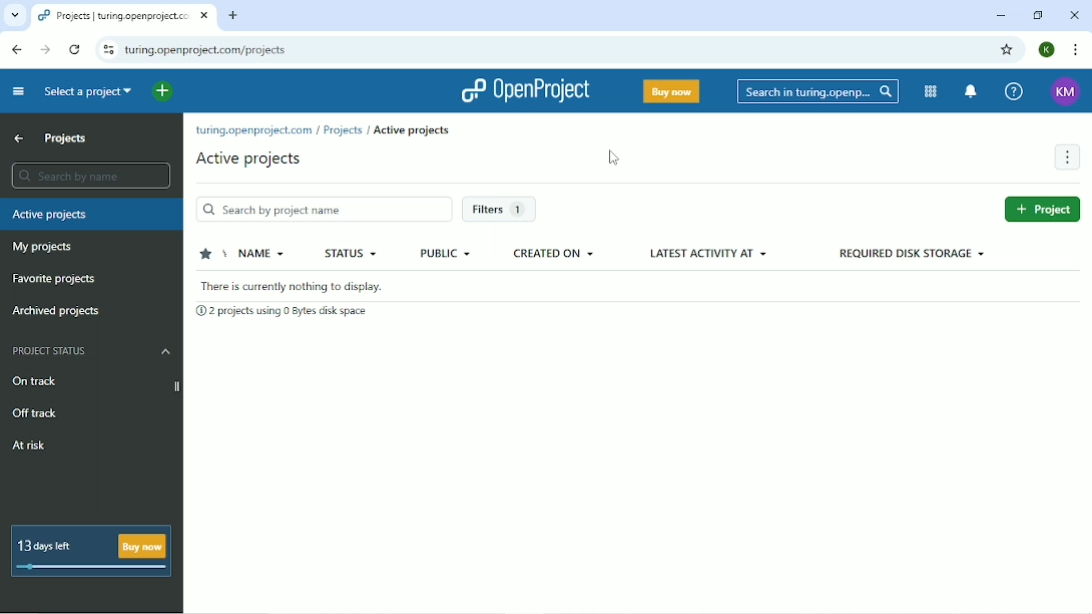 The image size is (1092, 614). Describe the element at coordinates (712, 251) in the screenshot. I see `Latest activity at` at that location.